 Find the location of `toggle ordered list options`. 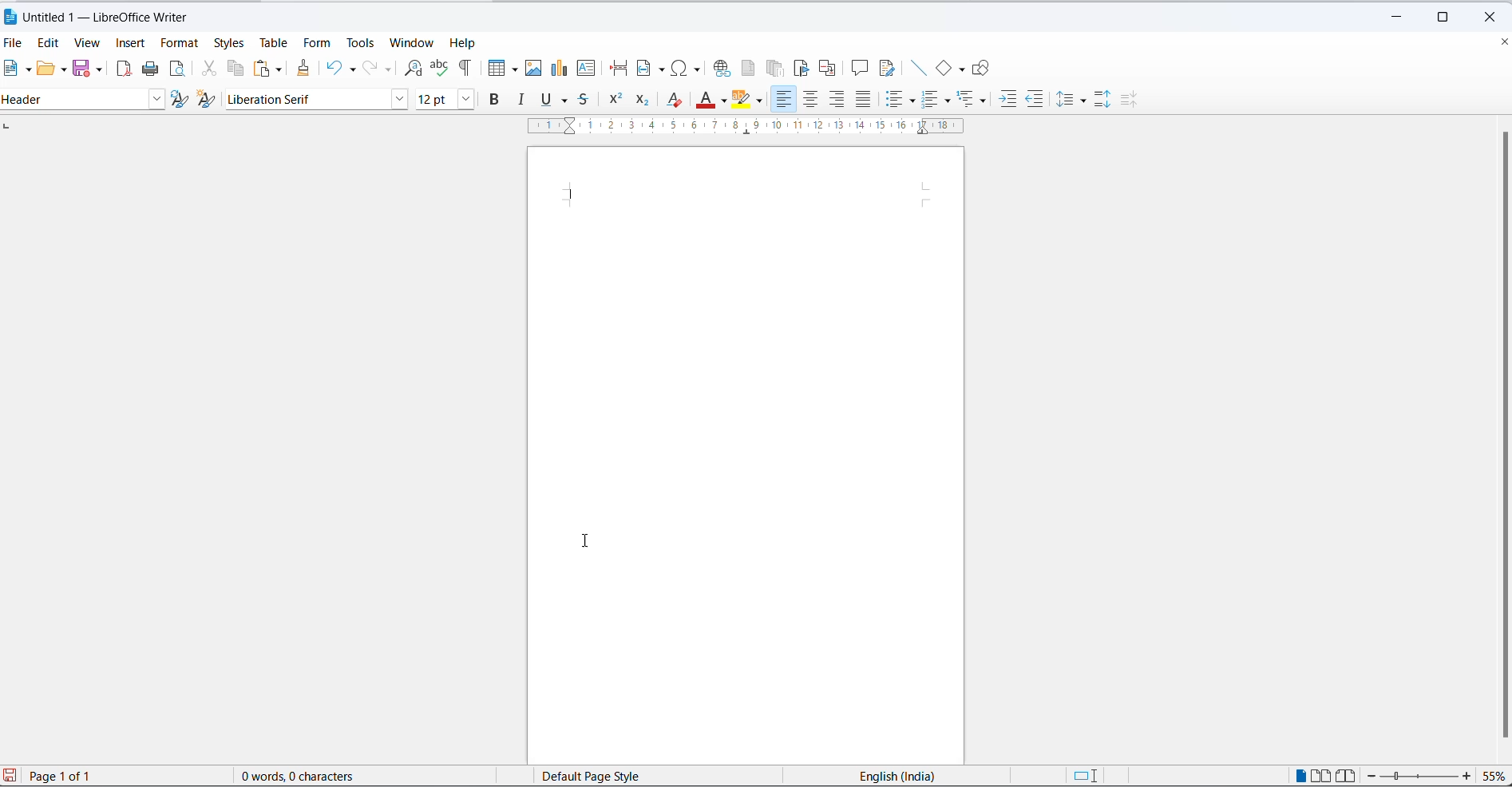

toggle ordered list options is located at coordinates (948, 100).